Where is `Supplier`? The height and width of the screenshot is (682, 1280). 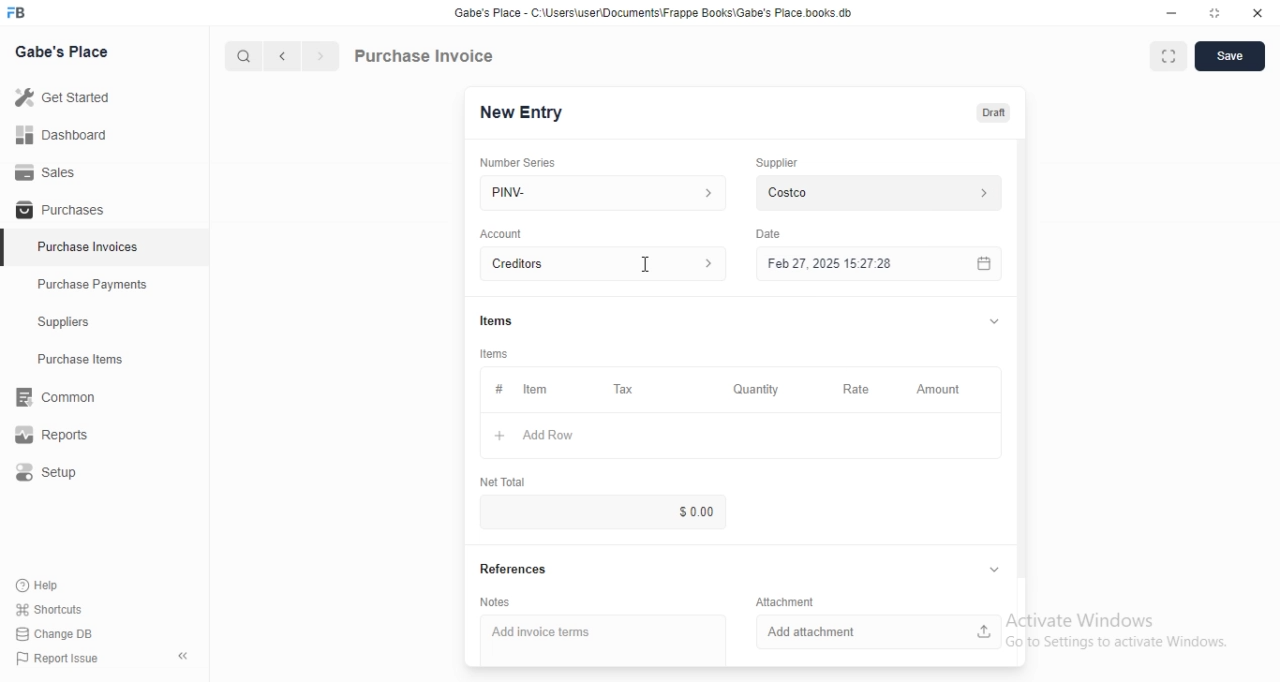
Supplier is located at coordinates (777, 163).